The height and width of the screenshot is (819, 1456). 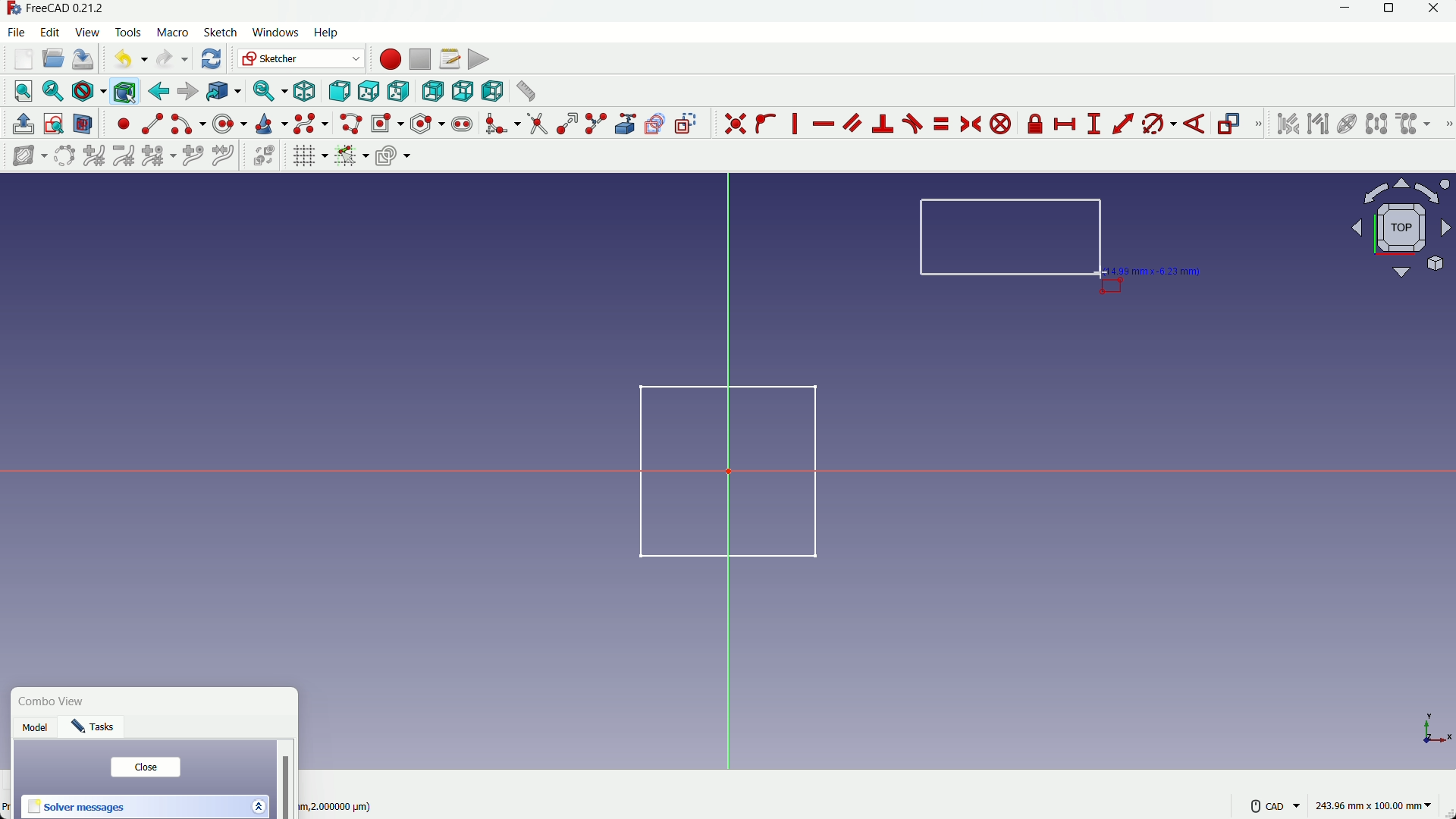 I want to click on constraint tangent, so click(x=913, y=124).